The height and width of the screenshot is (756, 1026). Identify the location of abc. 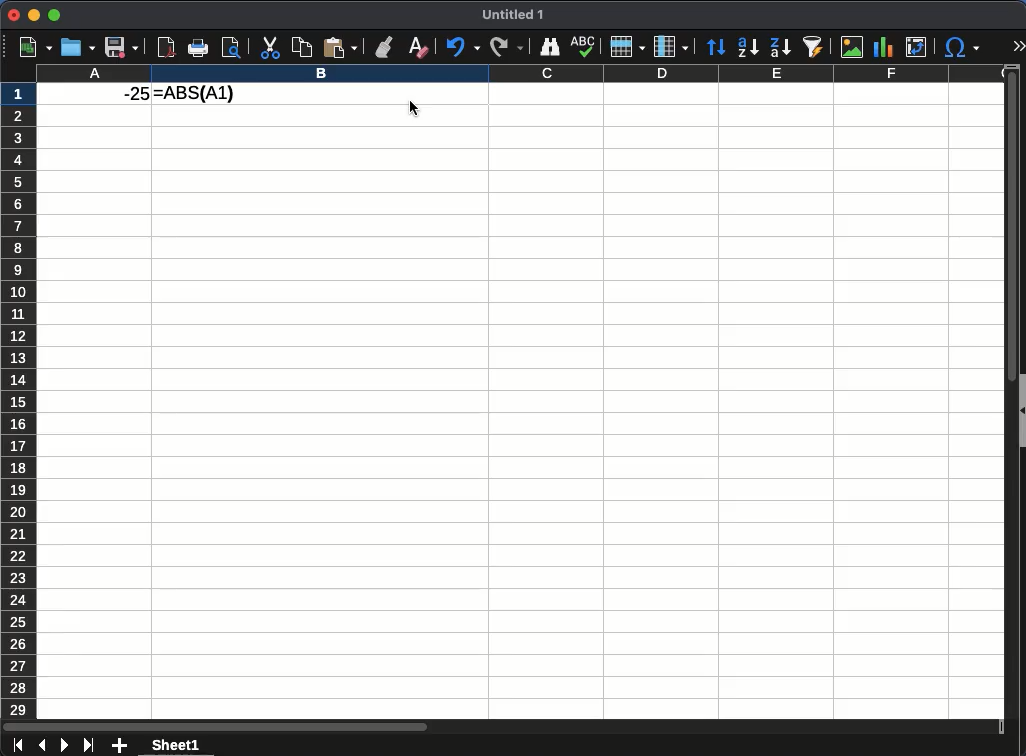
(582, 46).